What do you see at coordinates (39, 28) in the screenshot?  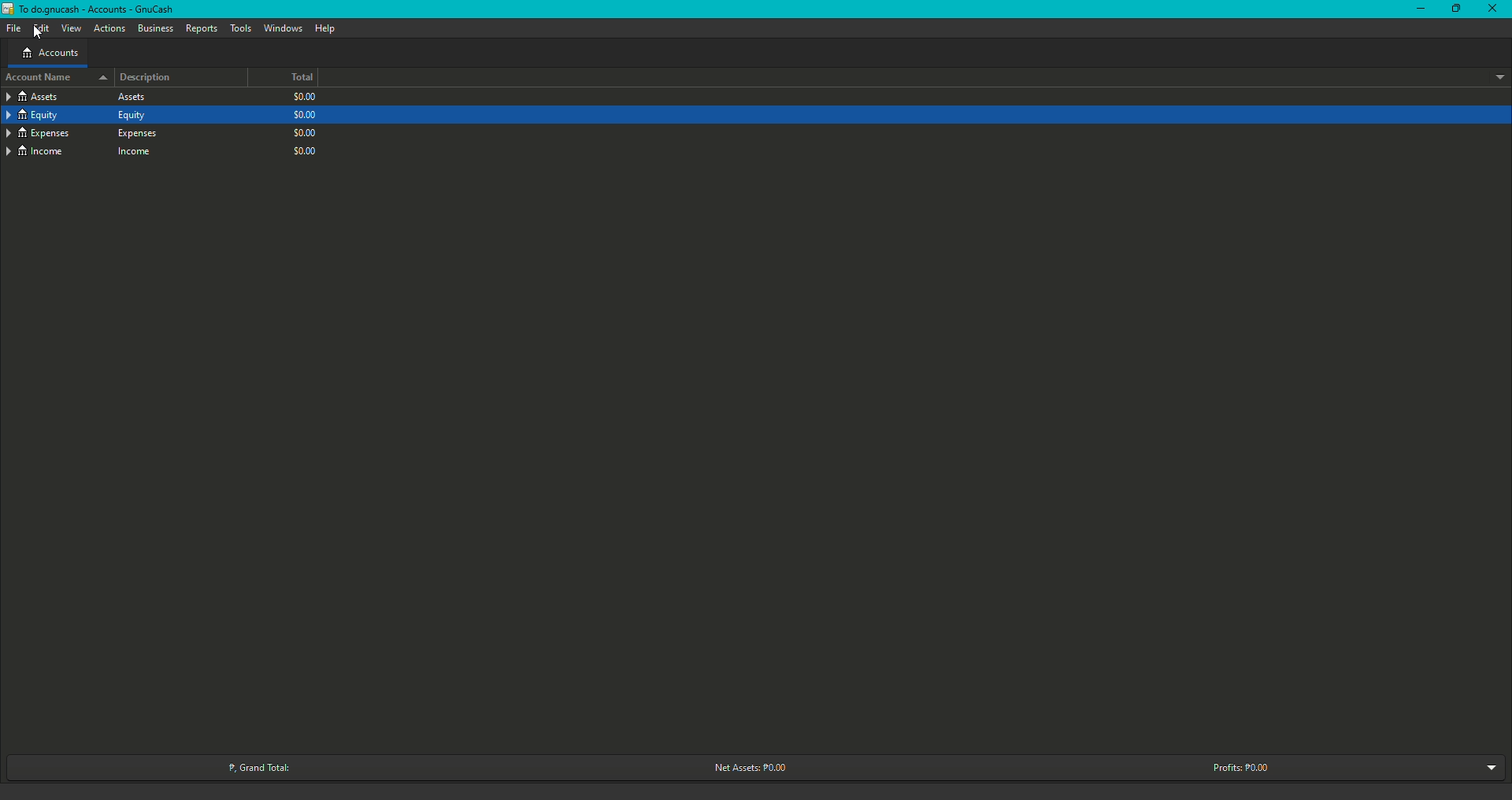 I see `Edit` at bounding box center [39, 28].